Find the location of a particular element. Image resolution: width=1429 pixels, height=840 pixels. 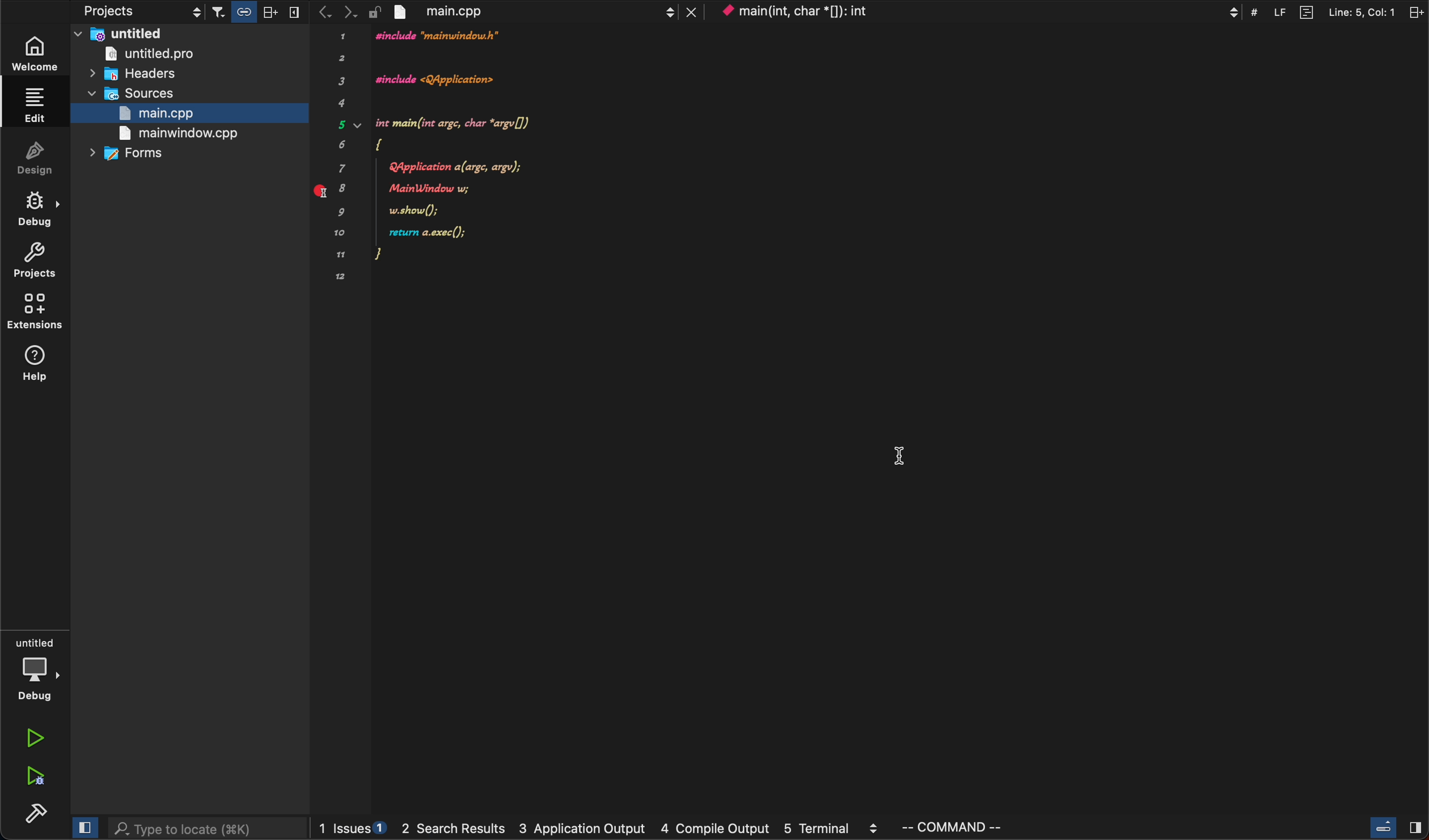

welcome is located at coordinates (36, 52).